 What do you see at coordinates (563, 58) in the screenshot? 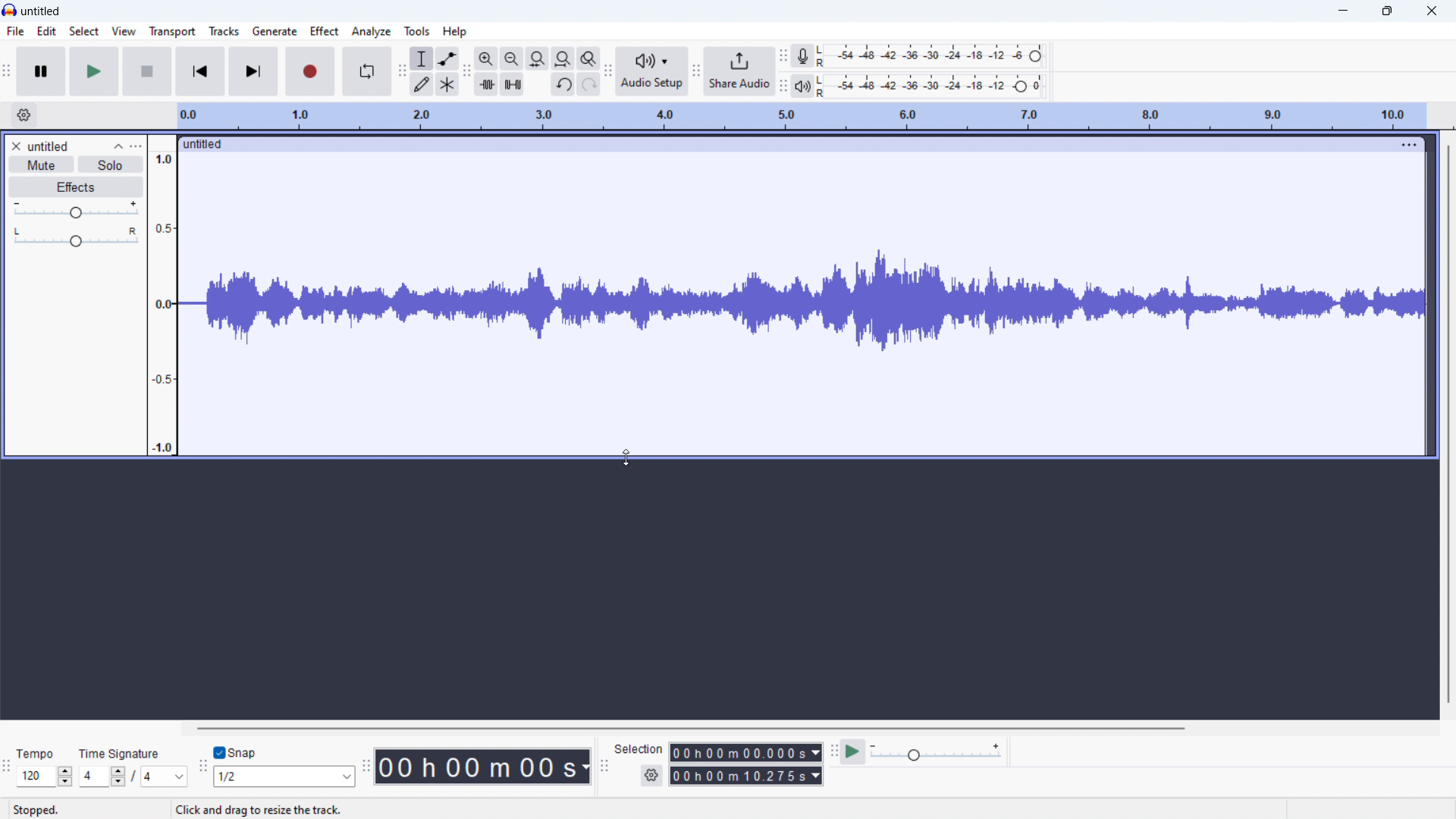
I see `fit project to width` at bounding box center [563, 58].